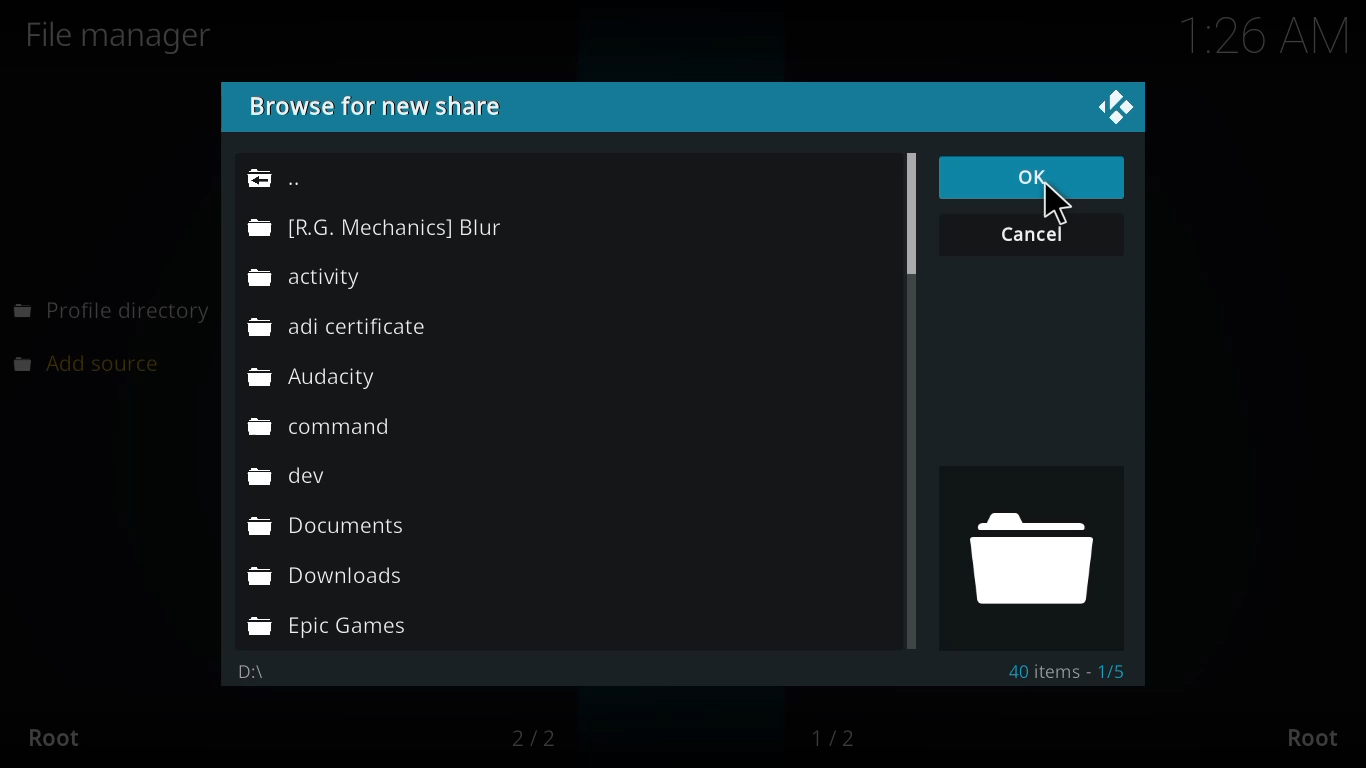 This screenshot has width=1366, height=768. I want to click on file, so click(330, 628).